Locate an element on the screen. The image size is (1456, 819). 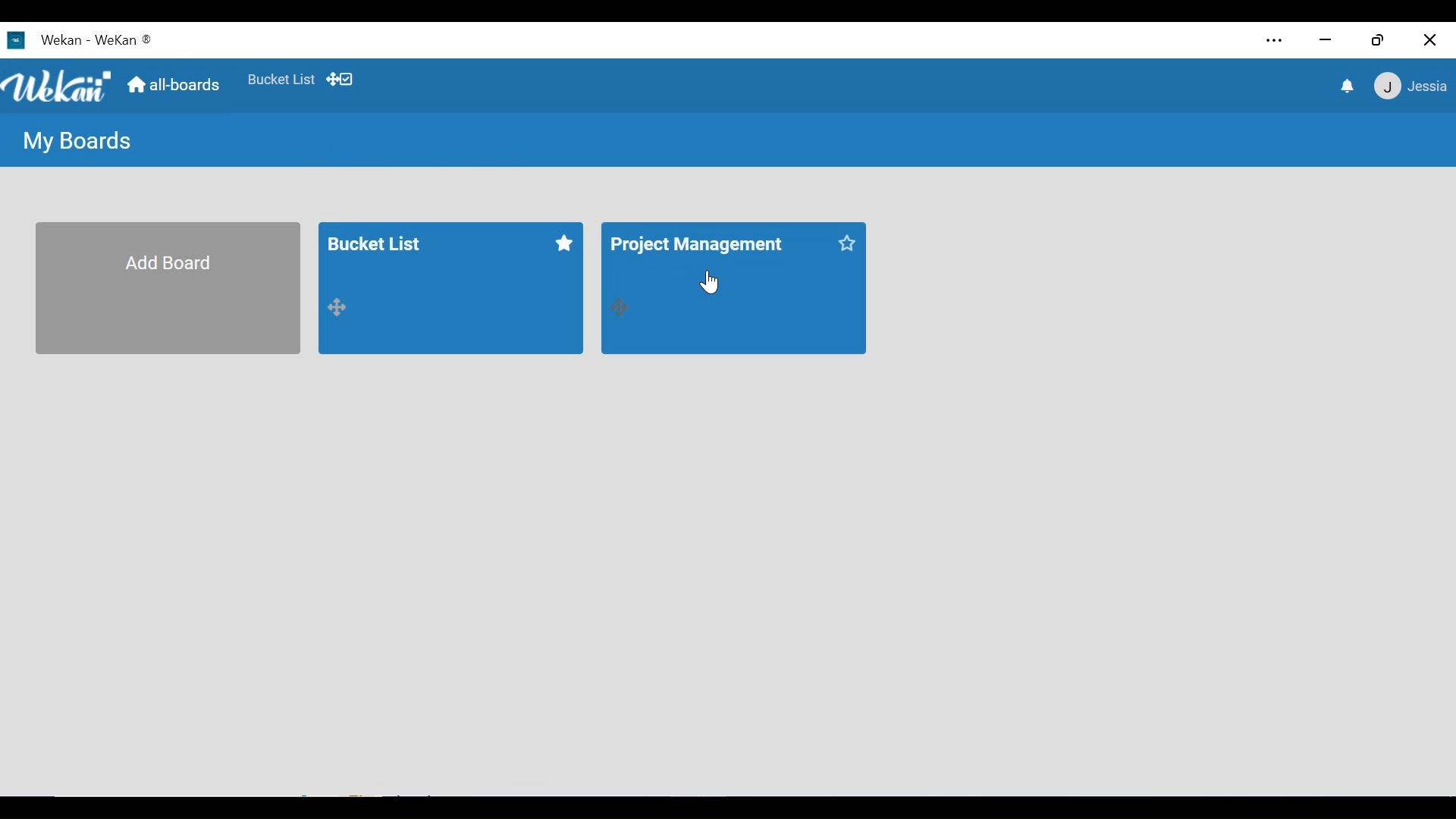
board 1 is located at coordinates (451, 306).